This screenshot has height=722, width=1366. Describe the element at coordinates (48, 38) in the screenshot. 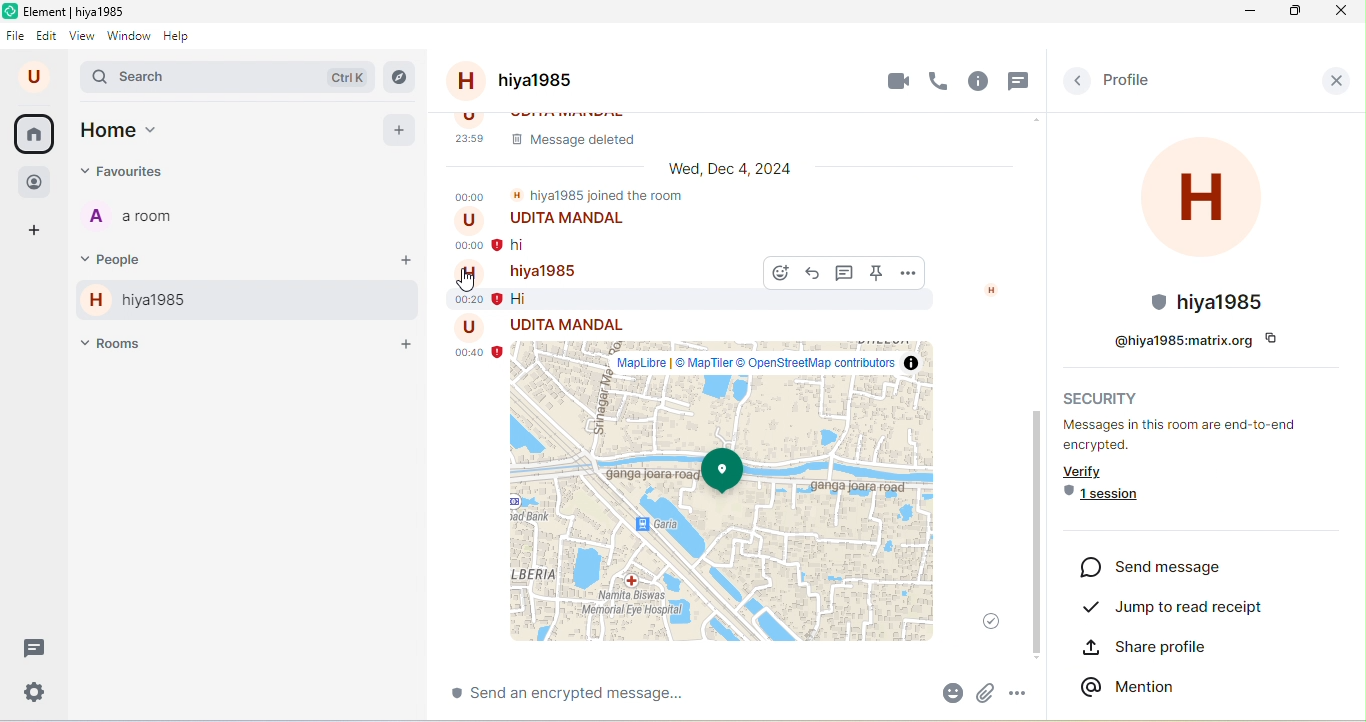

I see `edit` at that location.